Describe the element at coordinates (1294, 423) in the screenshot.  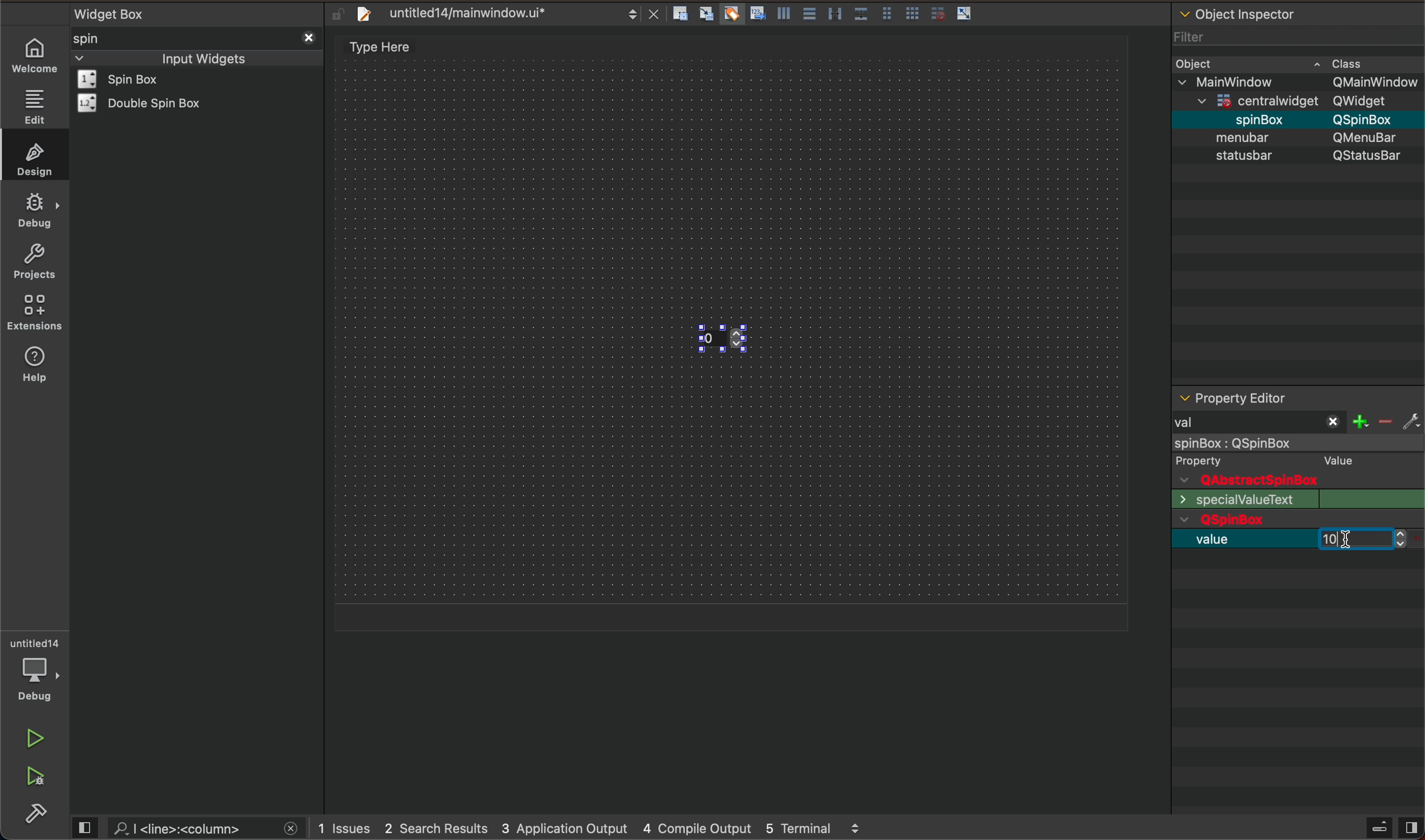
I see `val filter` at that location.